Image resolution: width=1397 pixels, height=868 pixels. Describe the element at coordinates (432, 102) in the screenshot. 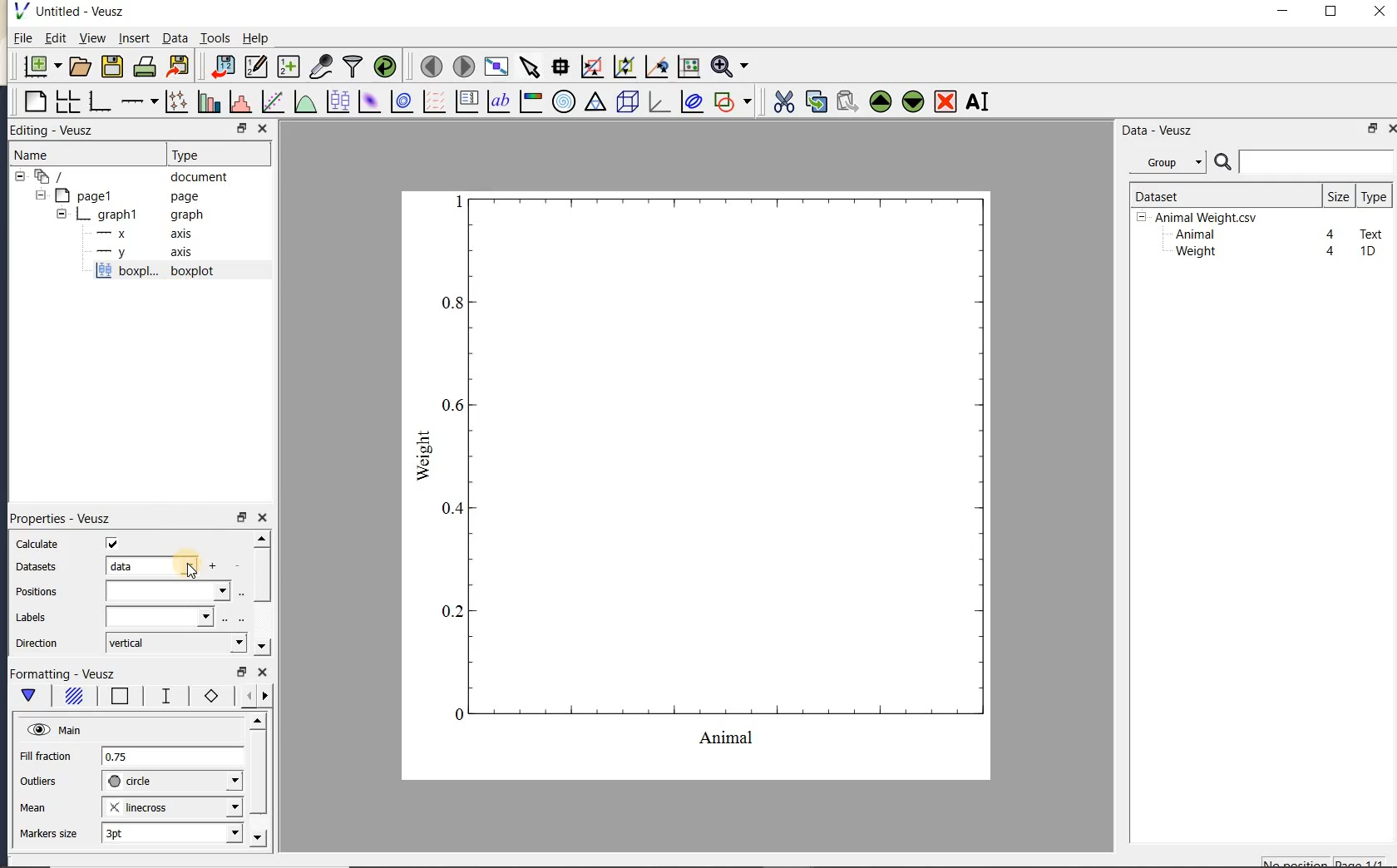

I see `plot a vector field` at that location.